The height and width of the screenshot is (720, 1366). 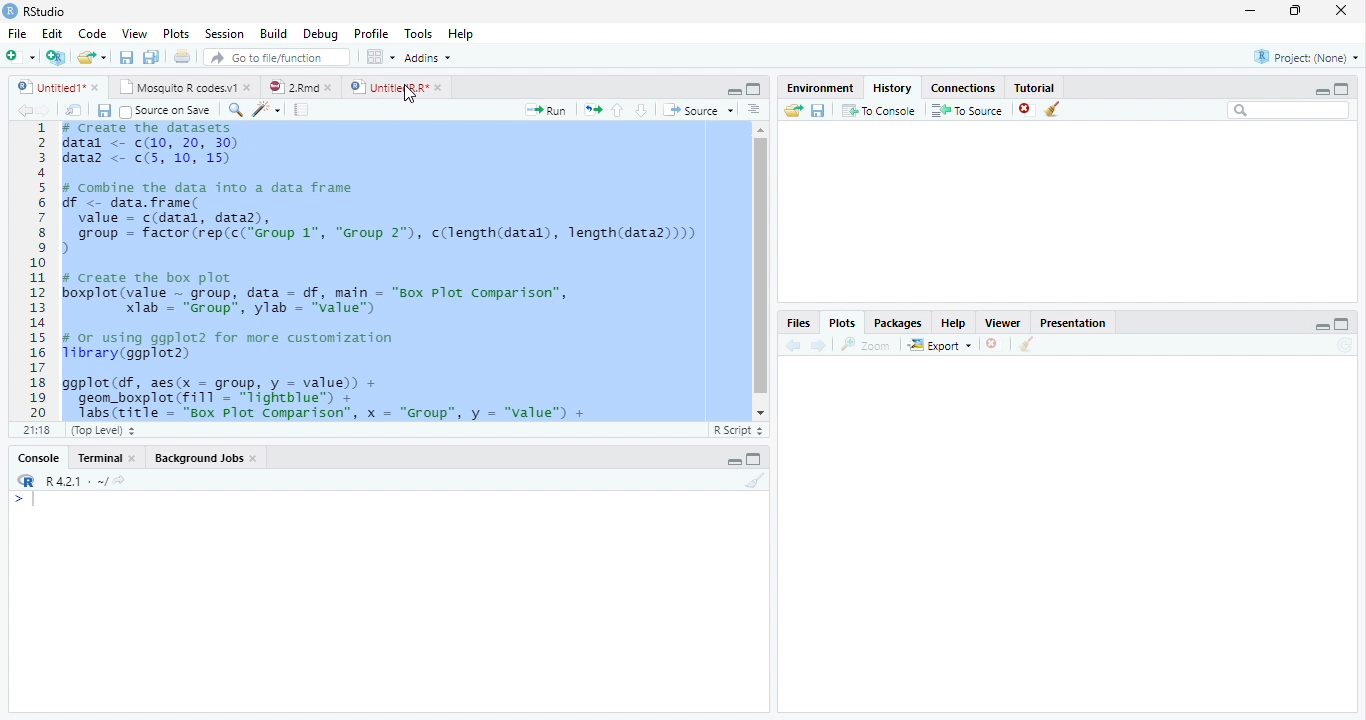 I want to click on Clear console, so click(x=756, y=480).